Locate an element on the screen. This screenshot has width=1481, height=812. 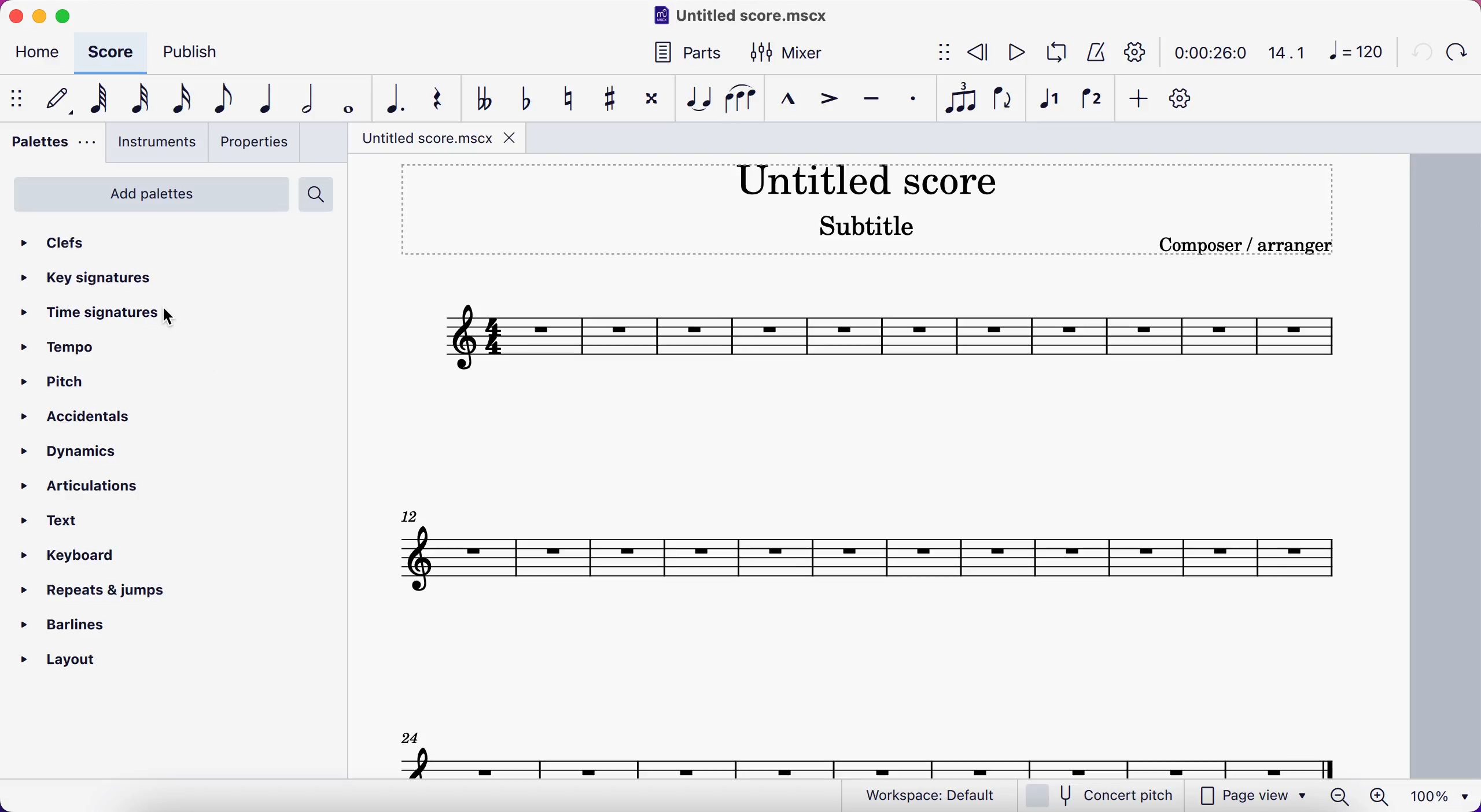
mixer is located at coordinates (788, 51).